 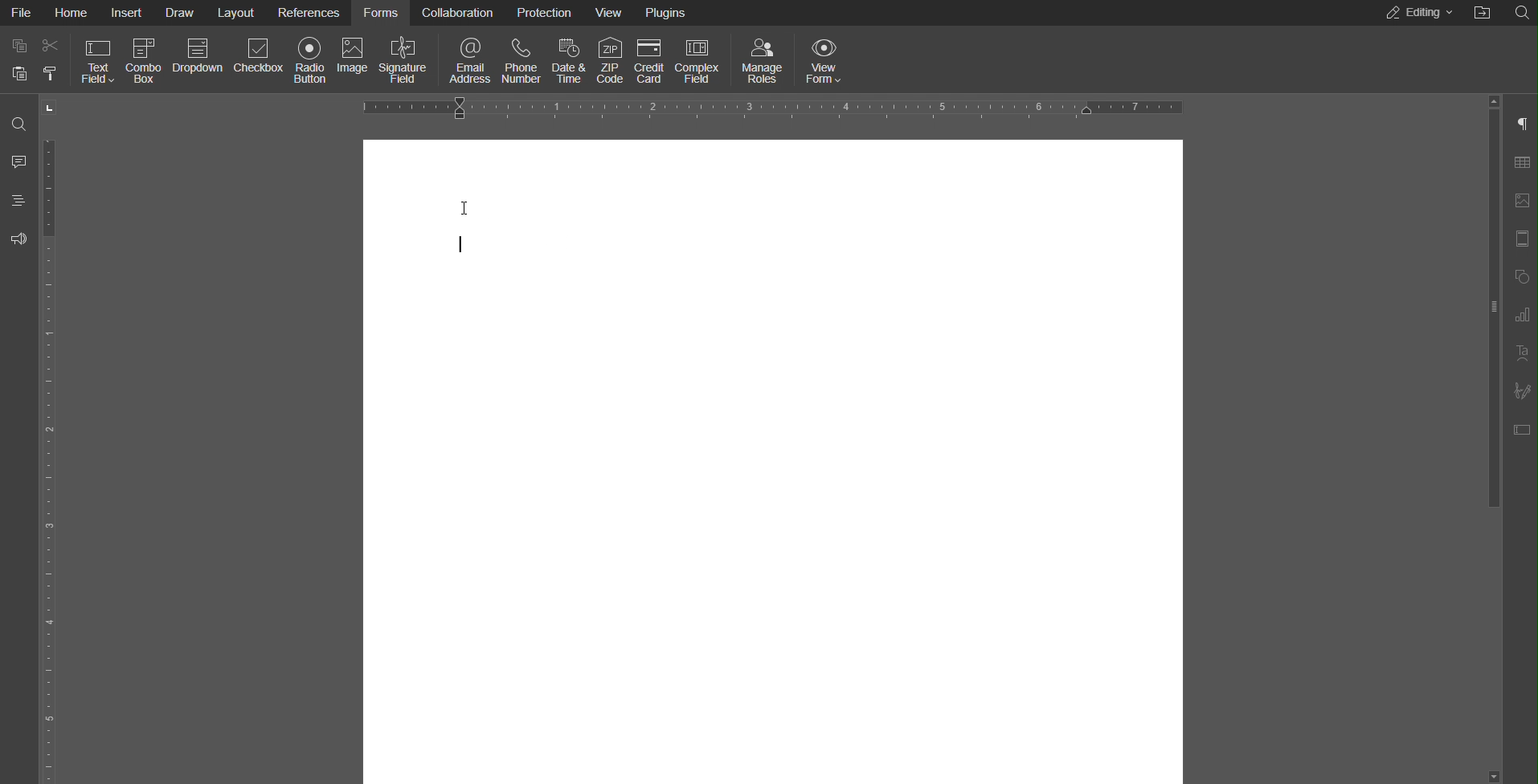 I want to click on Editing, so click(x=1418, y=13).